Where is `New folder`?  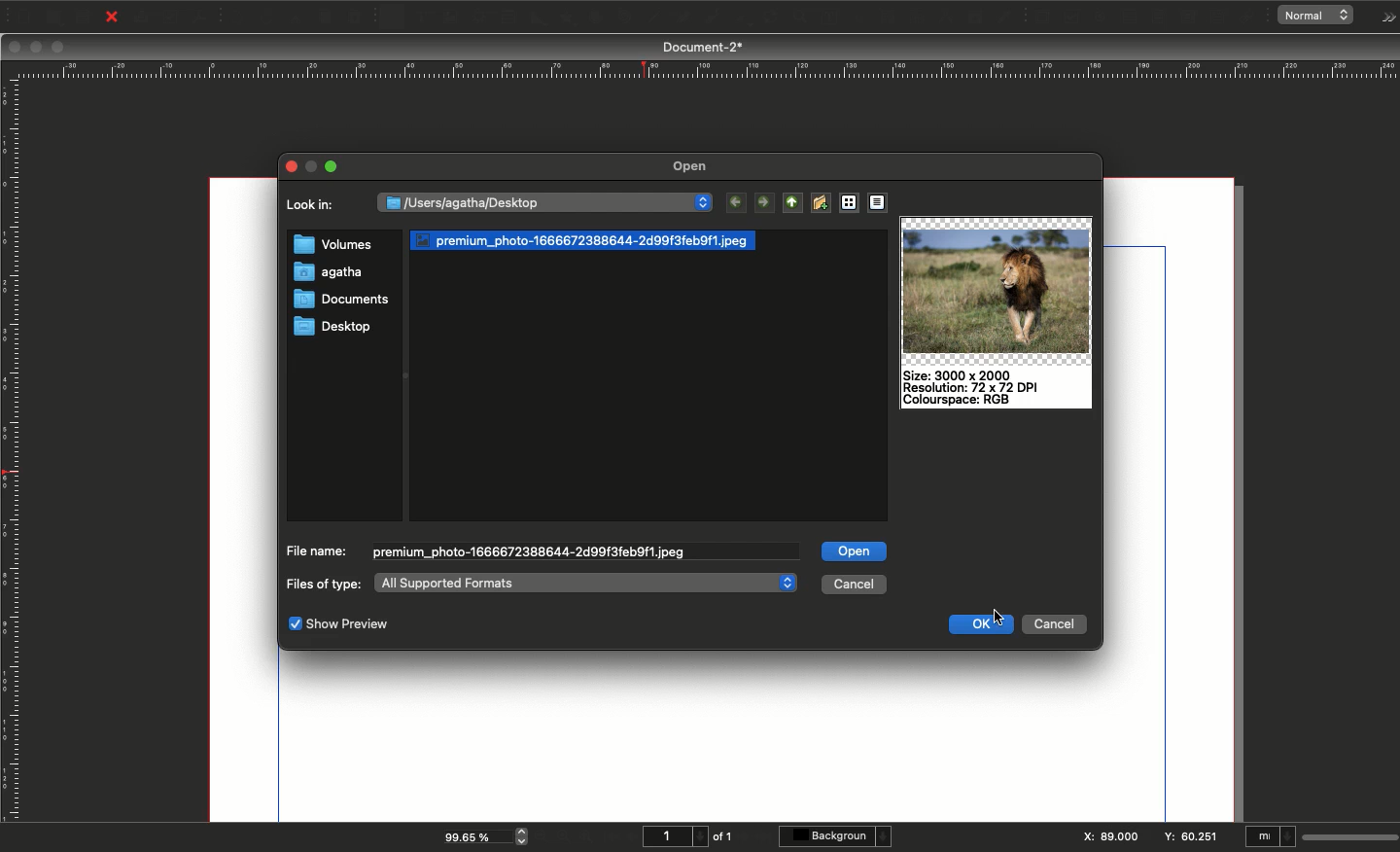
New folder is located at coordinates (820, 202).